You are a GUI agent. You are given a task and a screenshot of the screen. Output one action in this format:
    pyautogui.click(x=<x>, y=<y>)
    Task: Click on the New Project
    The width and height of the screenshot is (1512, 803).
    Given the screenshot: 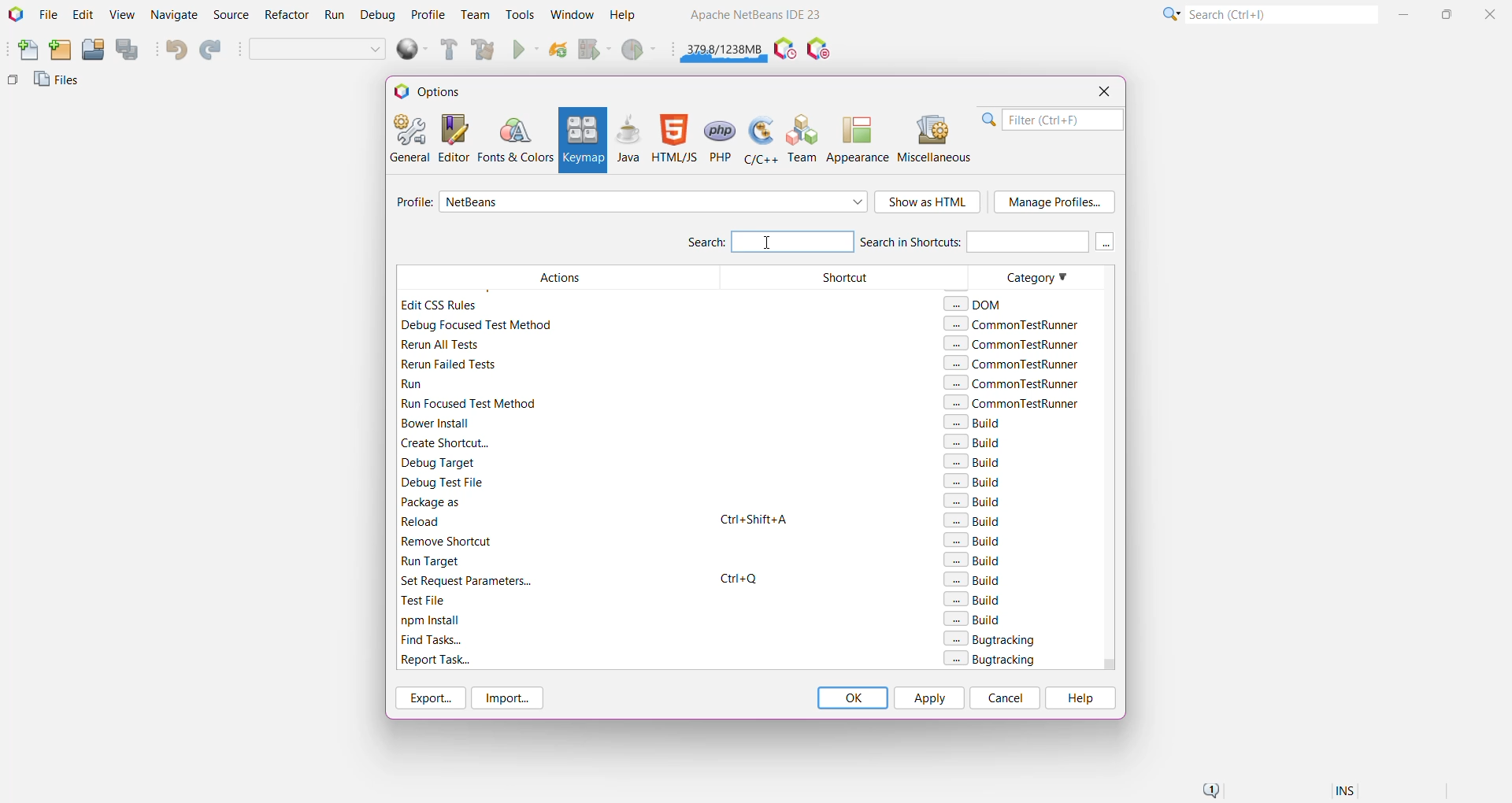 What is the action you would take?
    pyautogui.click(x=60, y=50)
    